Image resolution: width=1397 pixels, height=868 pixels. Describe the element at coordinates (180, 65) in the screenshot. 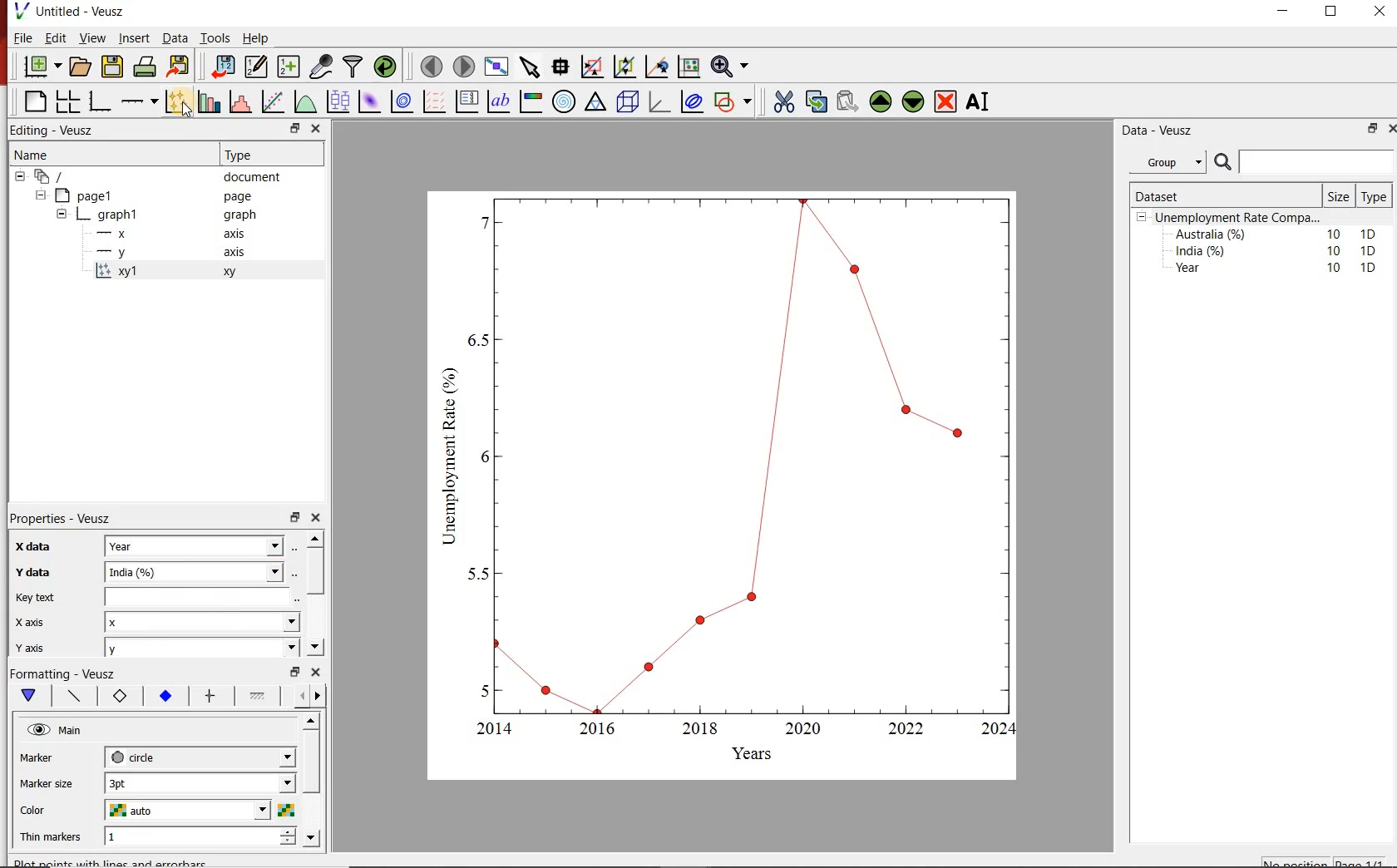

I see `export document` at that location.